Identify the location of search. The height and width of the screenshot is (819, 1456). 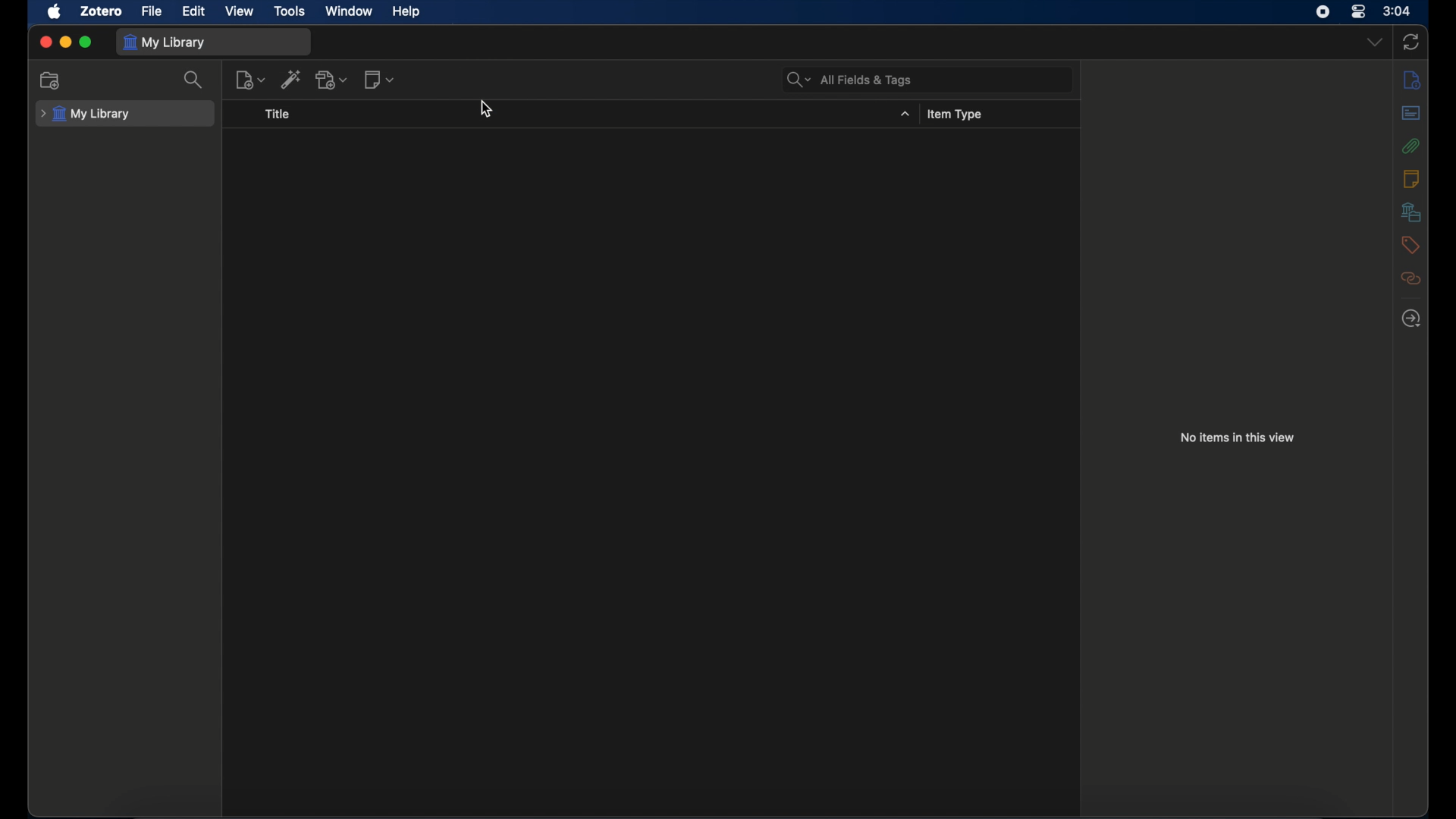
(196, 80).